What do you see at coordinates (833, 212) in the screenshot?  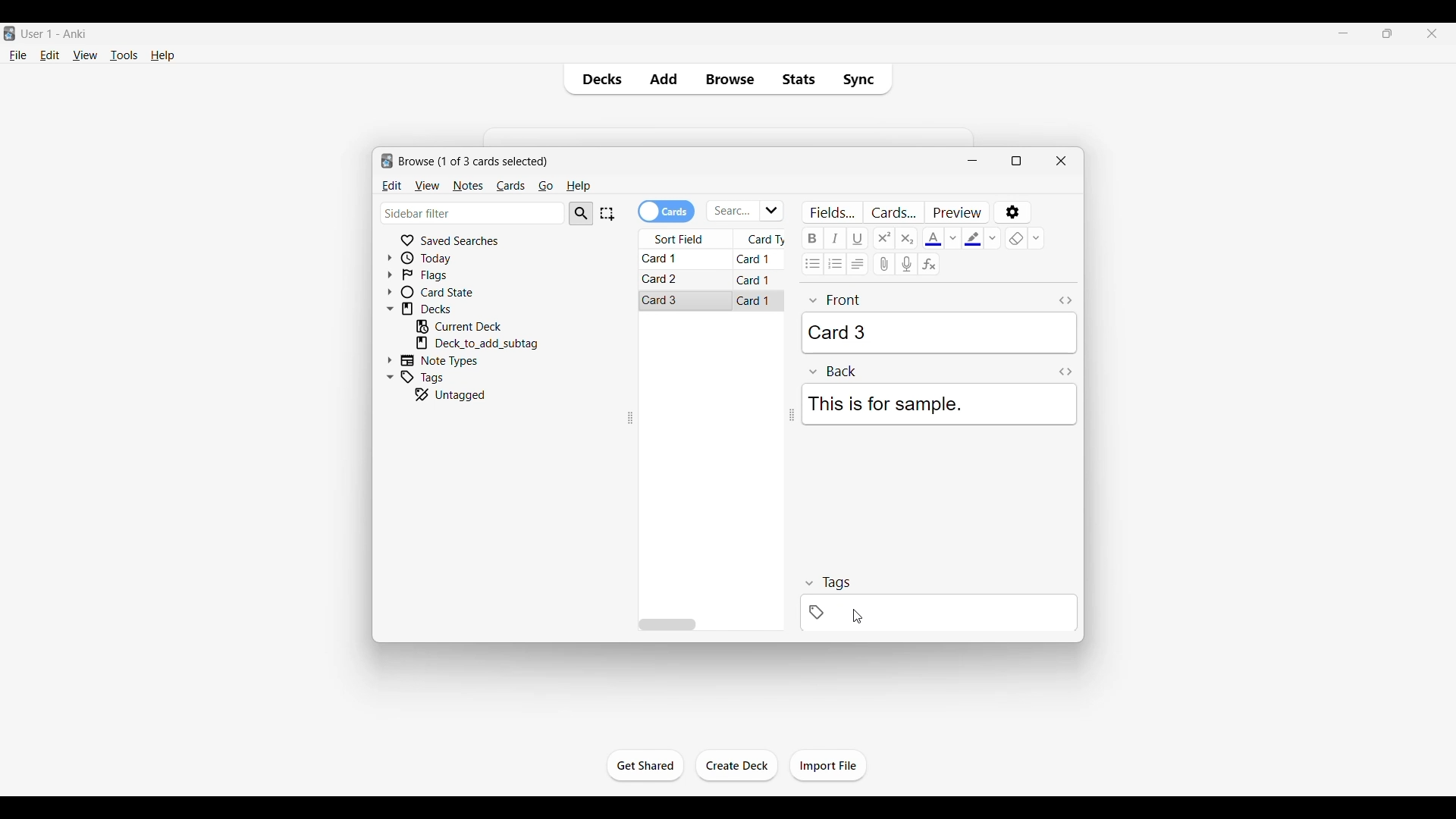 I see `Customize fields` at bounding box center [833, 212].